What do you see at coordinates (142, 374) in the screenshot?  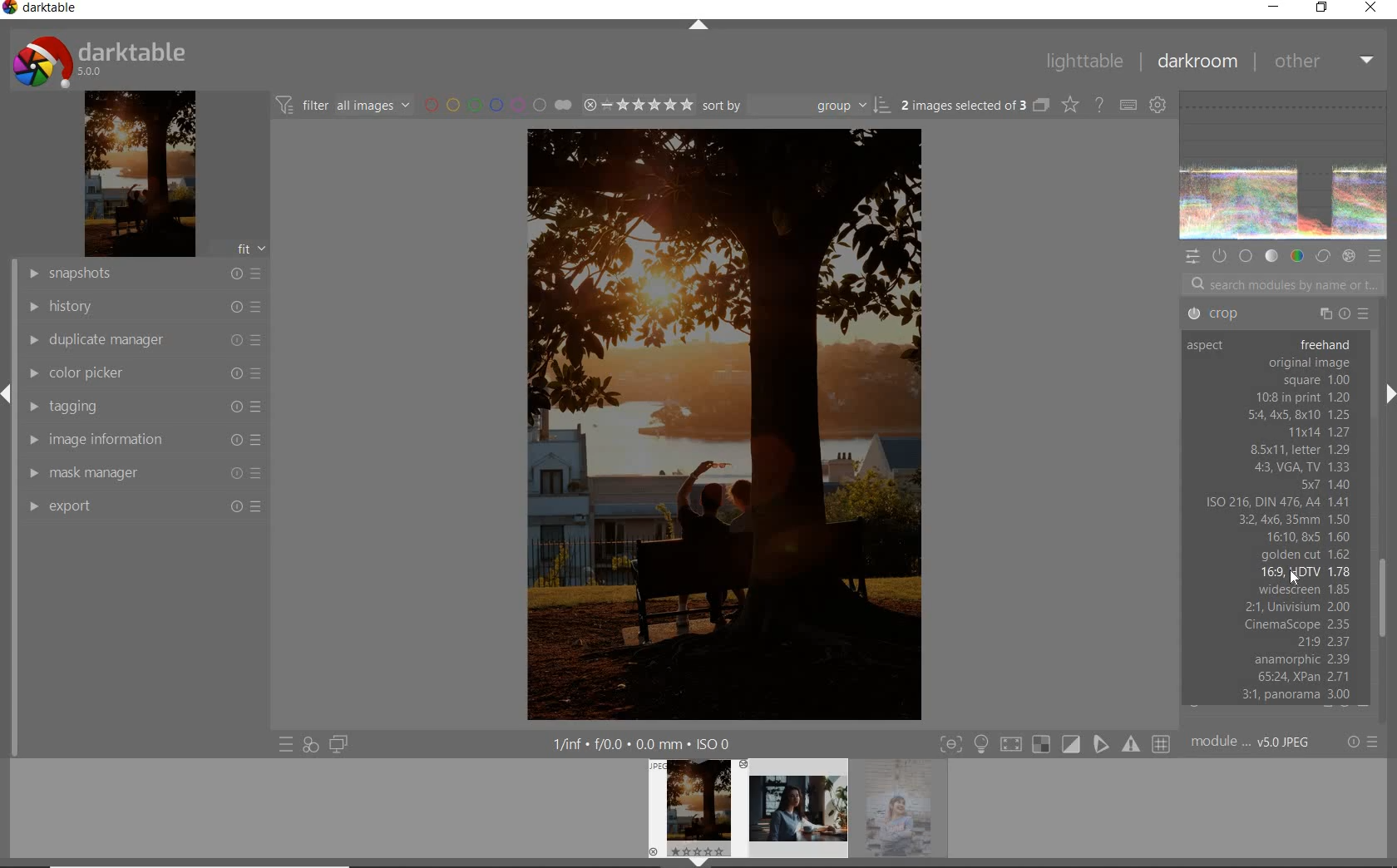 I see `color picker` at bounding box center [142, 374].